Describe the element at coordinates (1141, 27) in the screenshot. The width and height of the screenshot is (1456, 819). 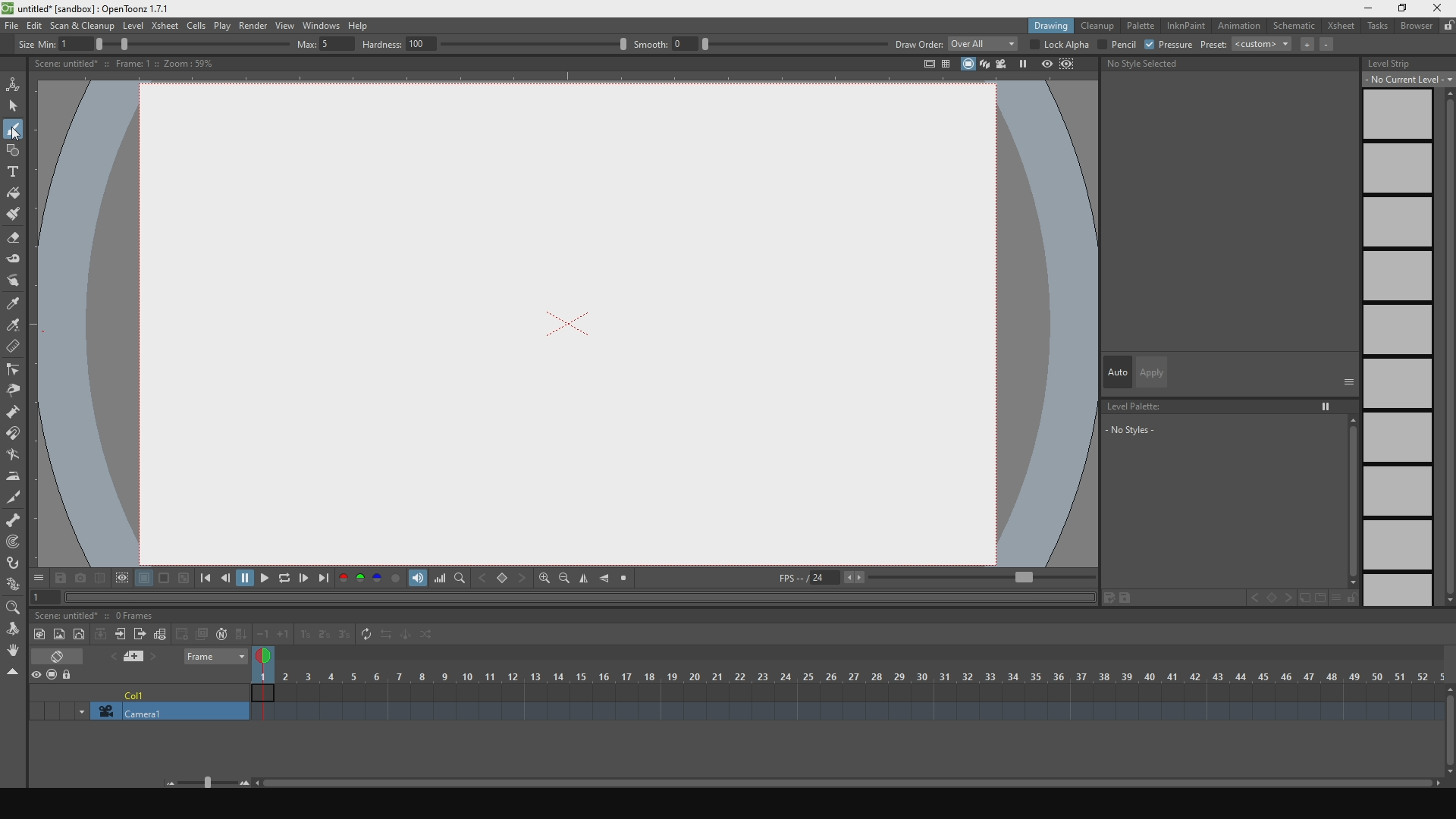
I see `palette` at that location.